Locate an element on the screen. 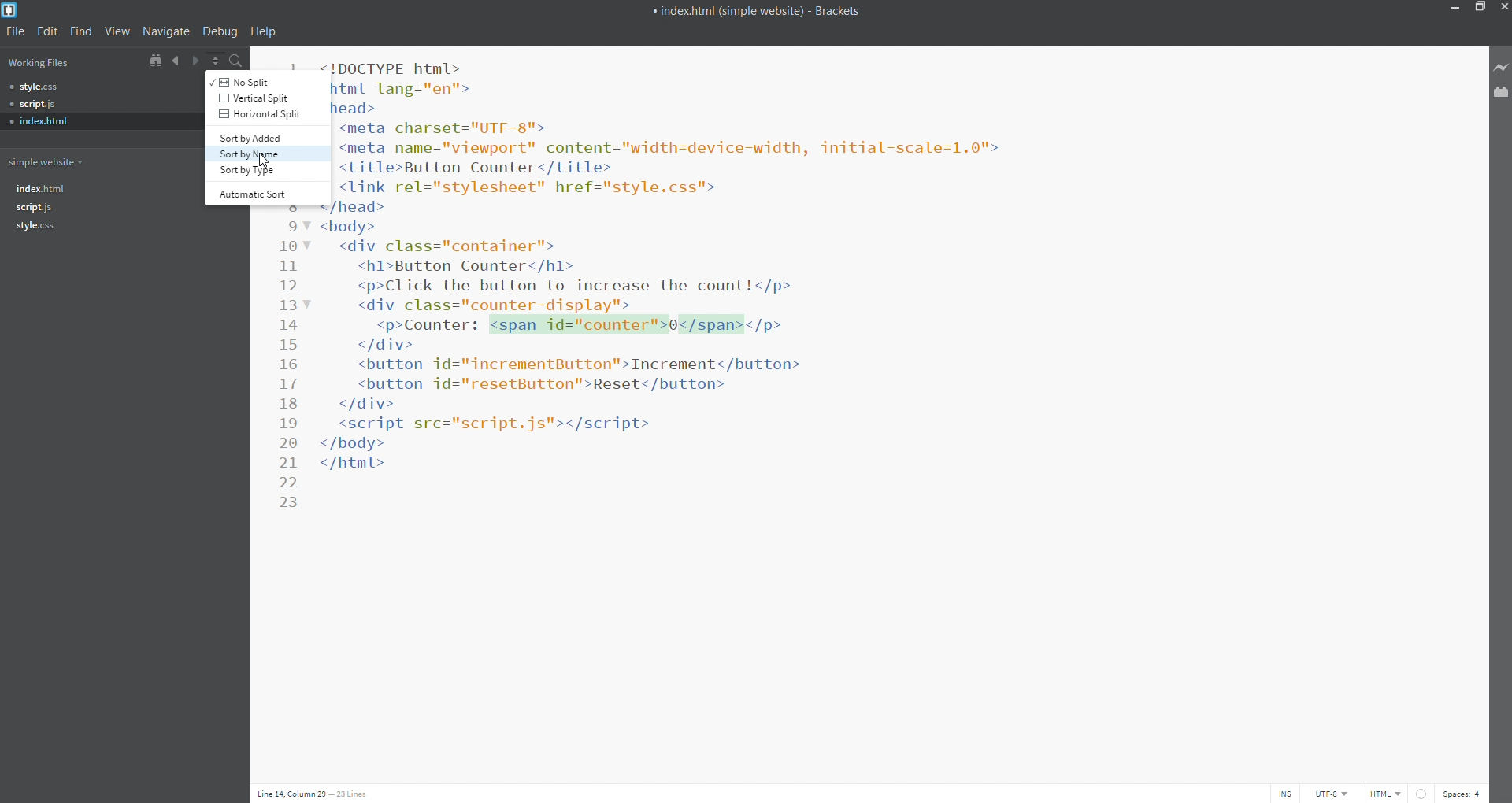  horizontal split is located at coordinates (257, 114).